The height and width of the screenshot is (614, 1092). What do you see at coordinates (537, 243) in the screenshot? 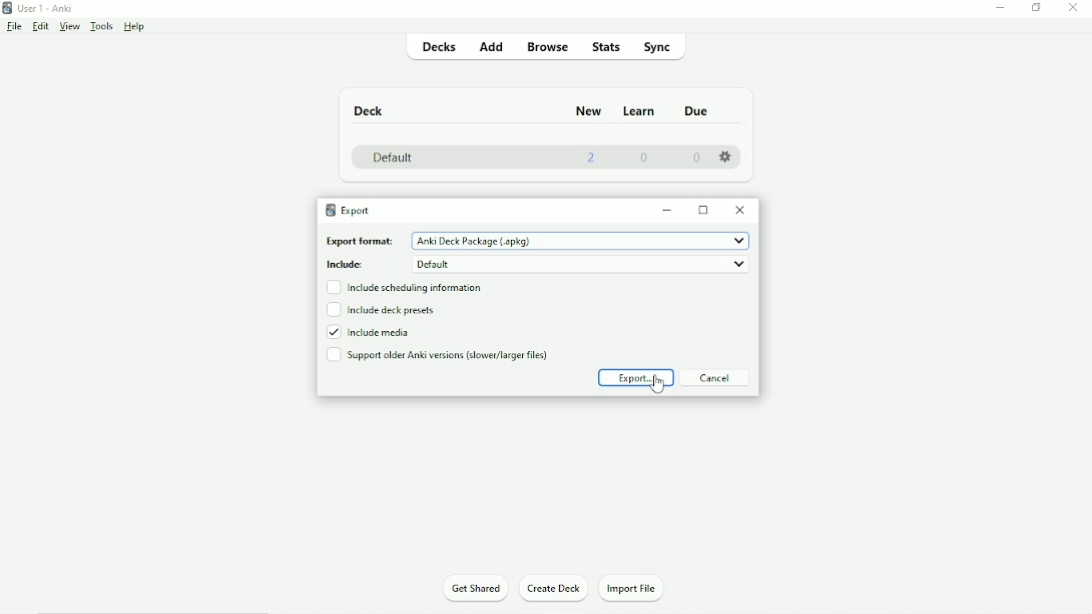
I see `Export format` at bounding box center [537, 243].